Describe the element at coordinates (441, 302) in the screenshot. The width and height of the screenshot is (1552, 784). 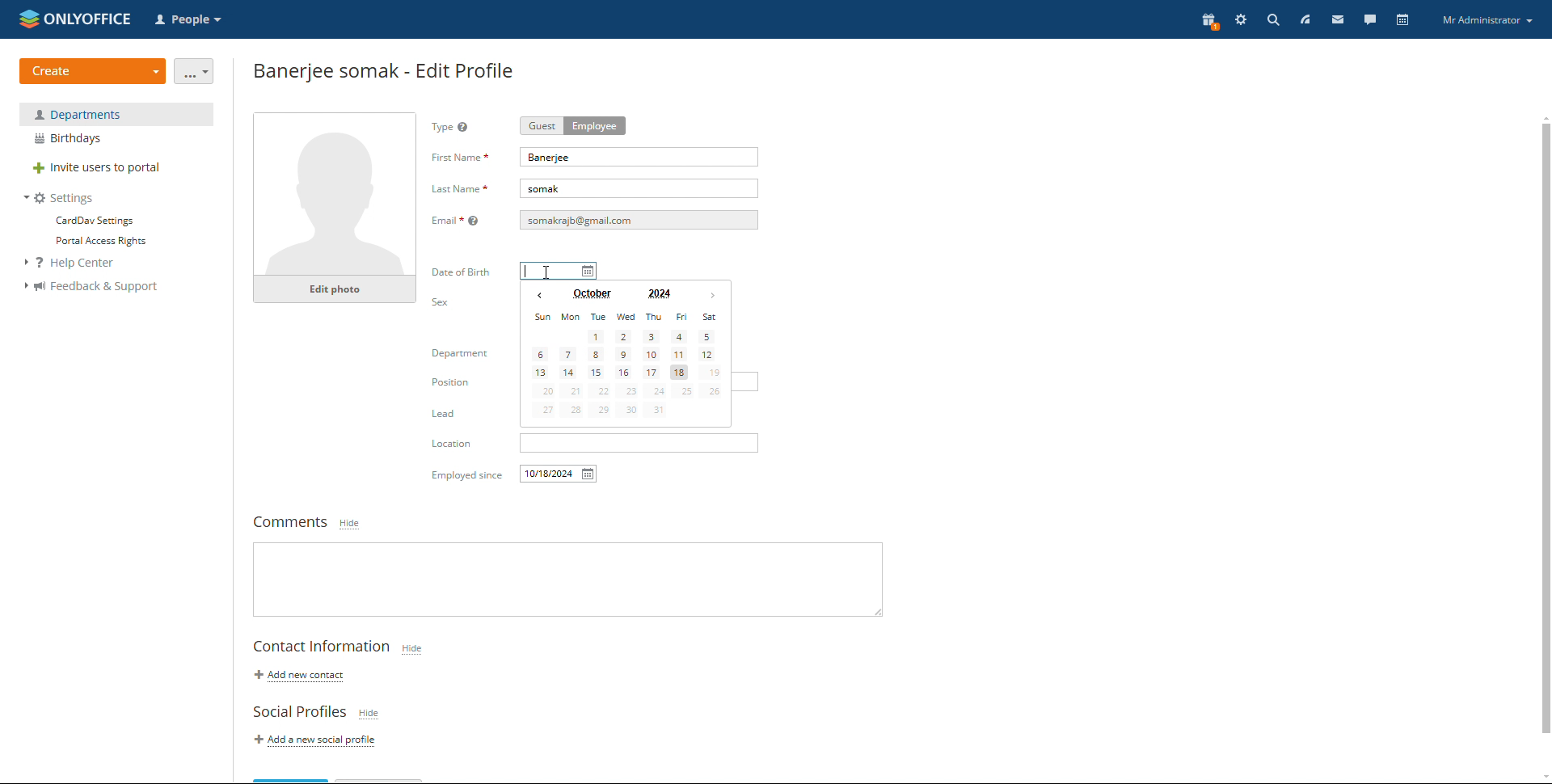
I see `sex` at that location.